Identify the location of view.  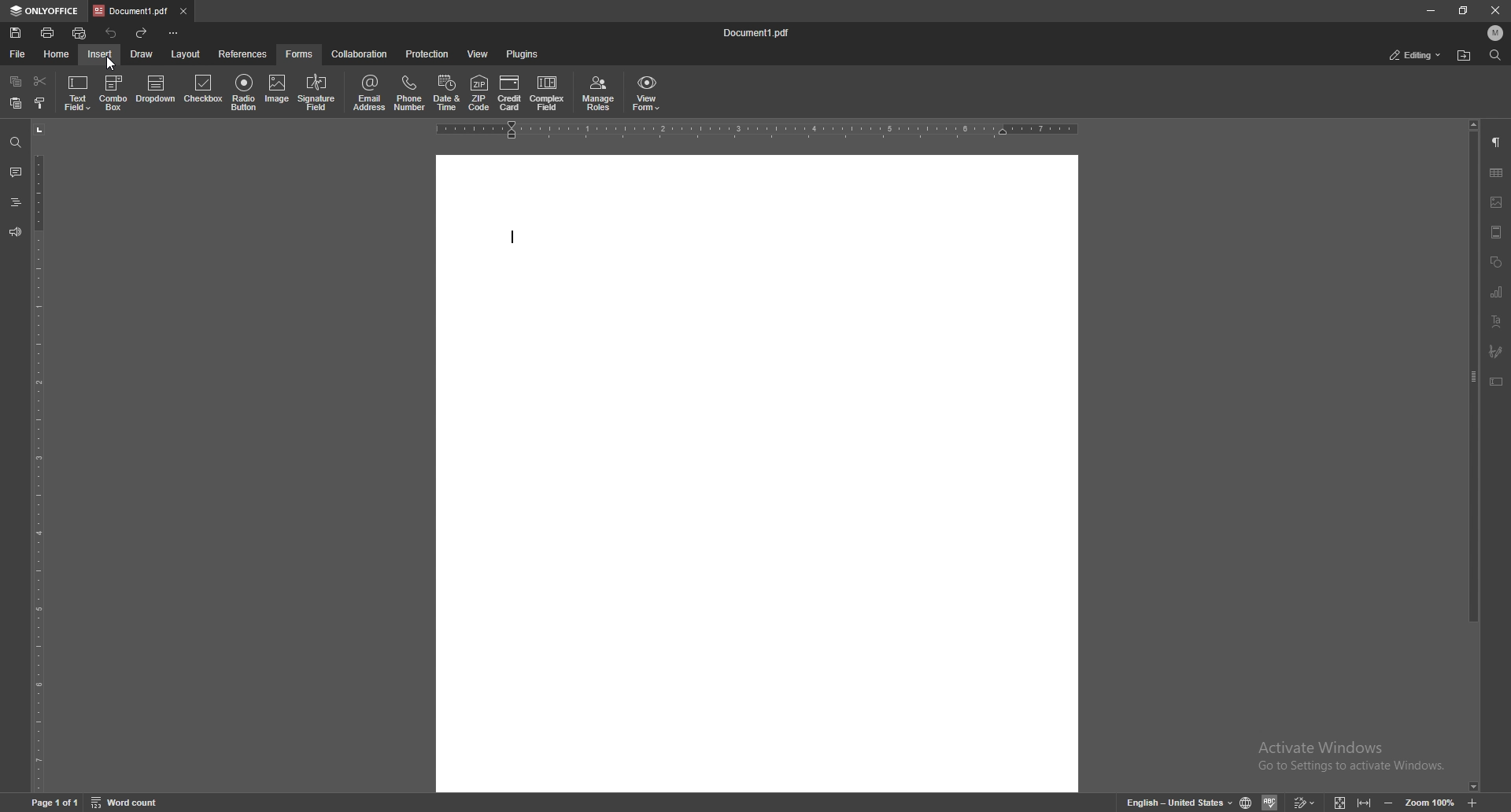
(478, 54).